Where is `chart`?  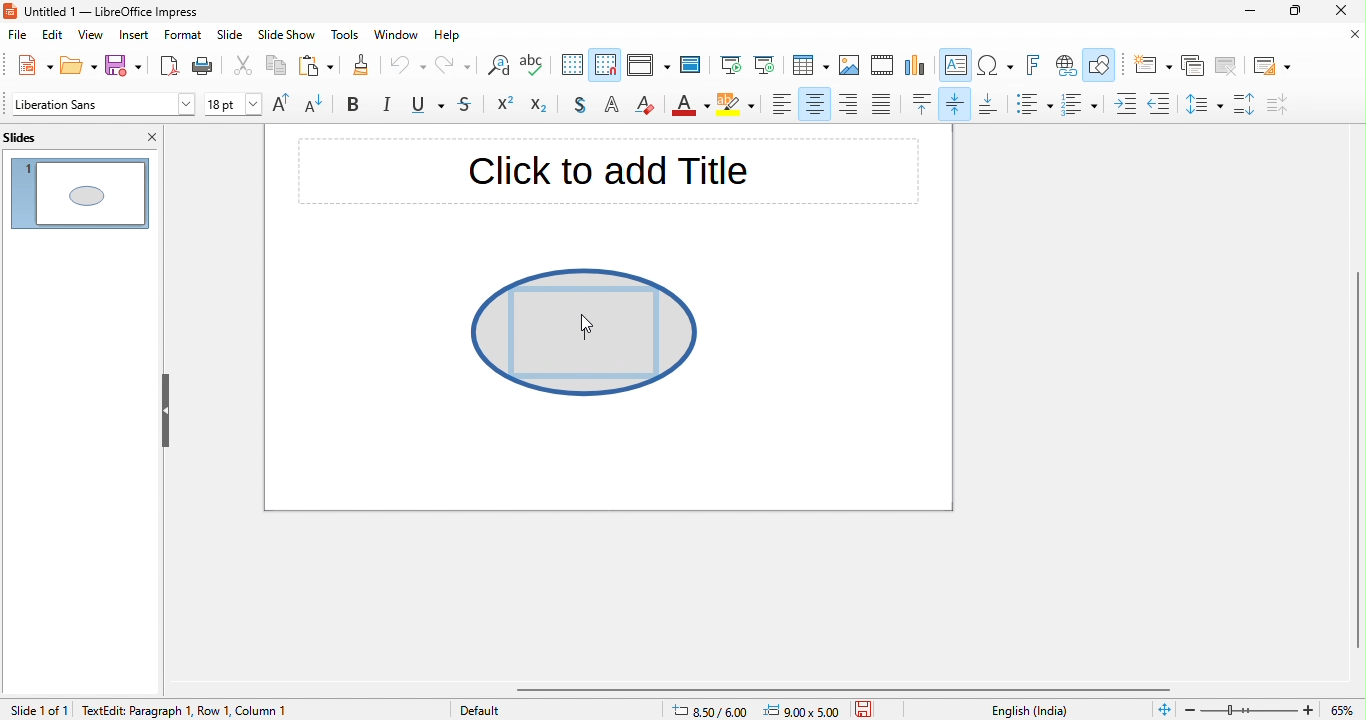
chart is located at coordinates (916, 67).